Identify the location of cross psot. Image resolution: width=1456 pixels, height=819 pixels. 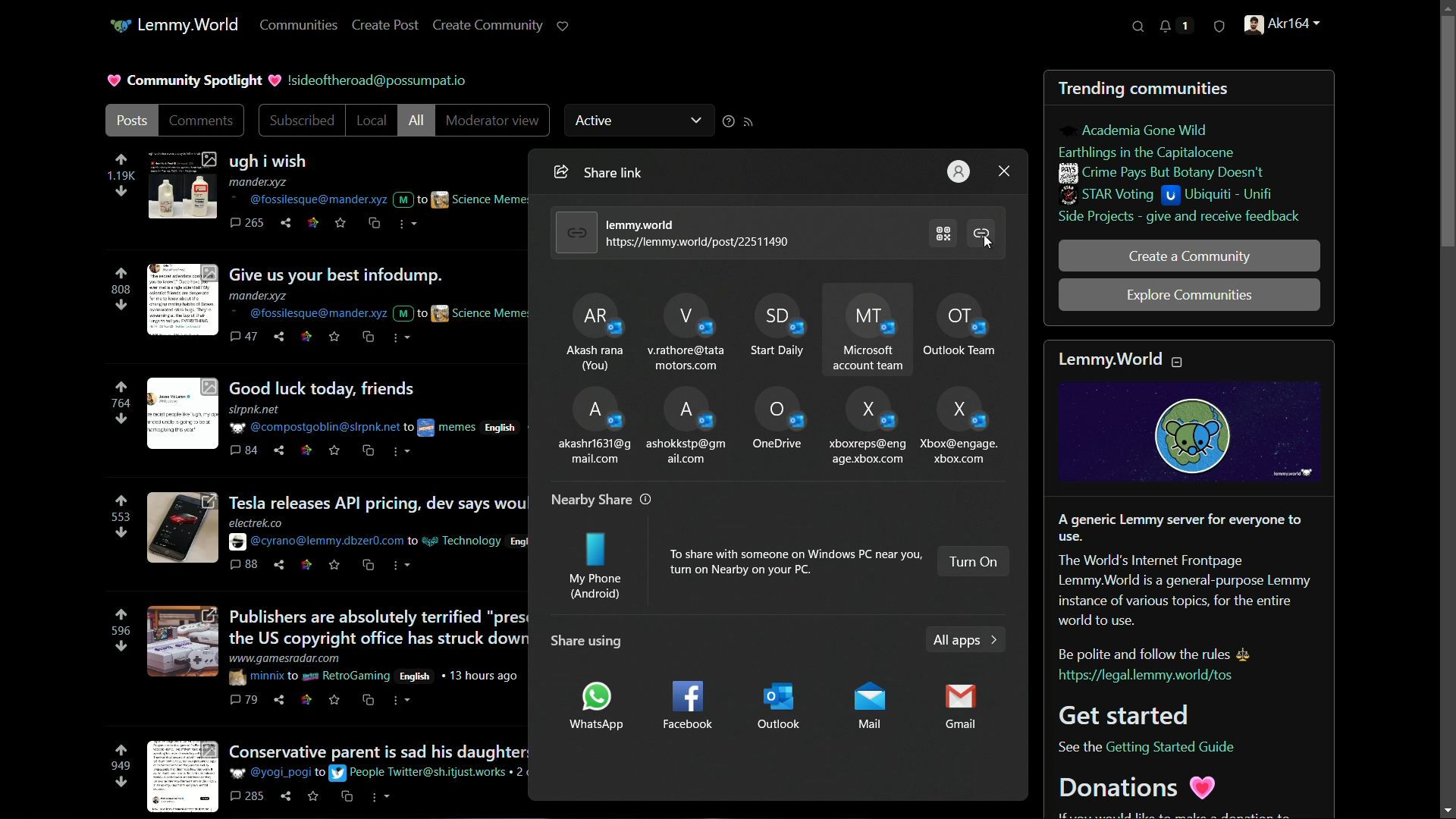
(369, 566).